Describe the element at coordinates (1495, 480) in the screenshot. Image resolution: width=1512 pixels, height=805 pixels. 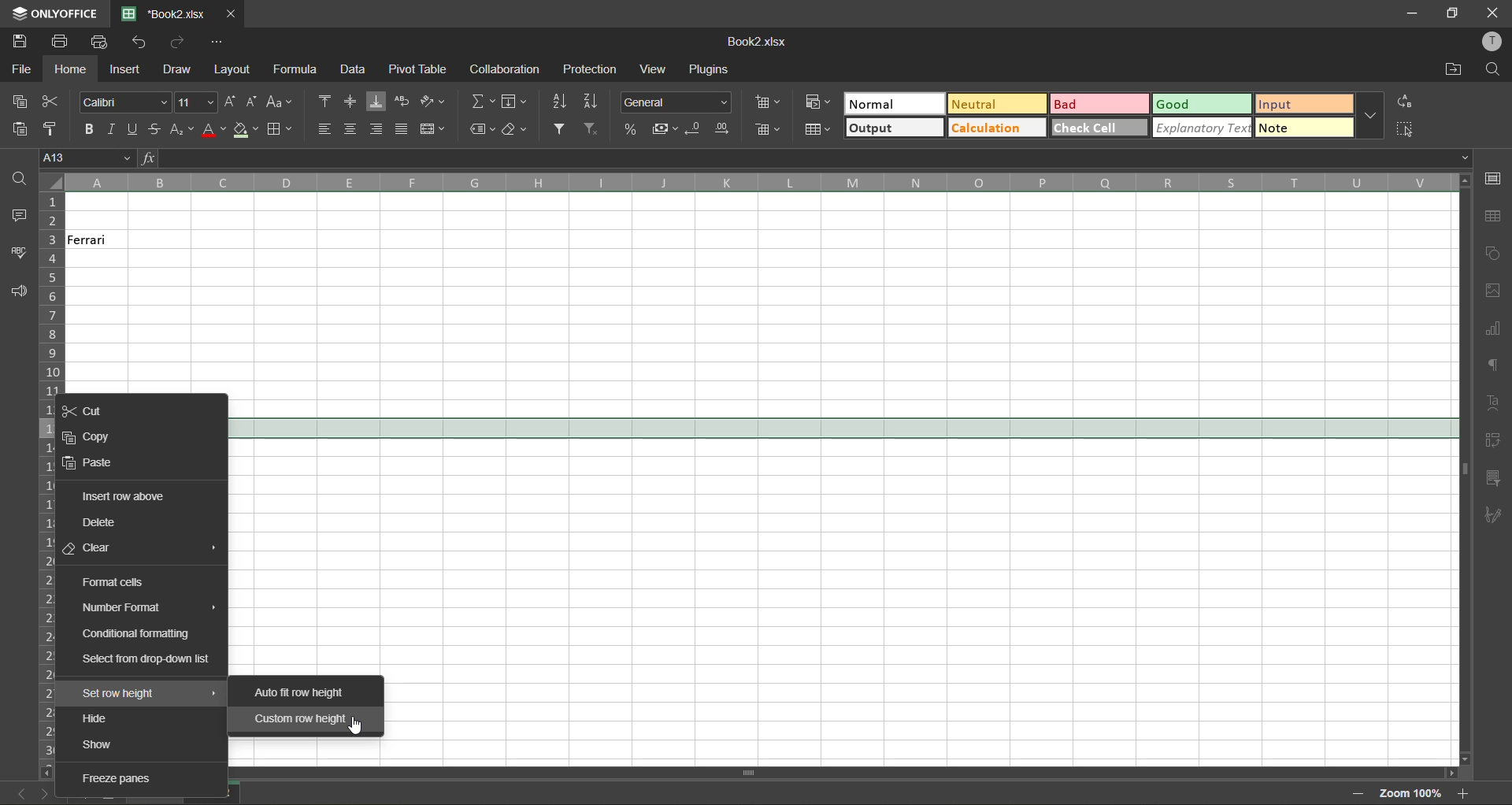
I see `slicer` at that location.